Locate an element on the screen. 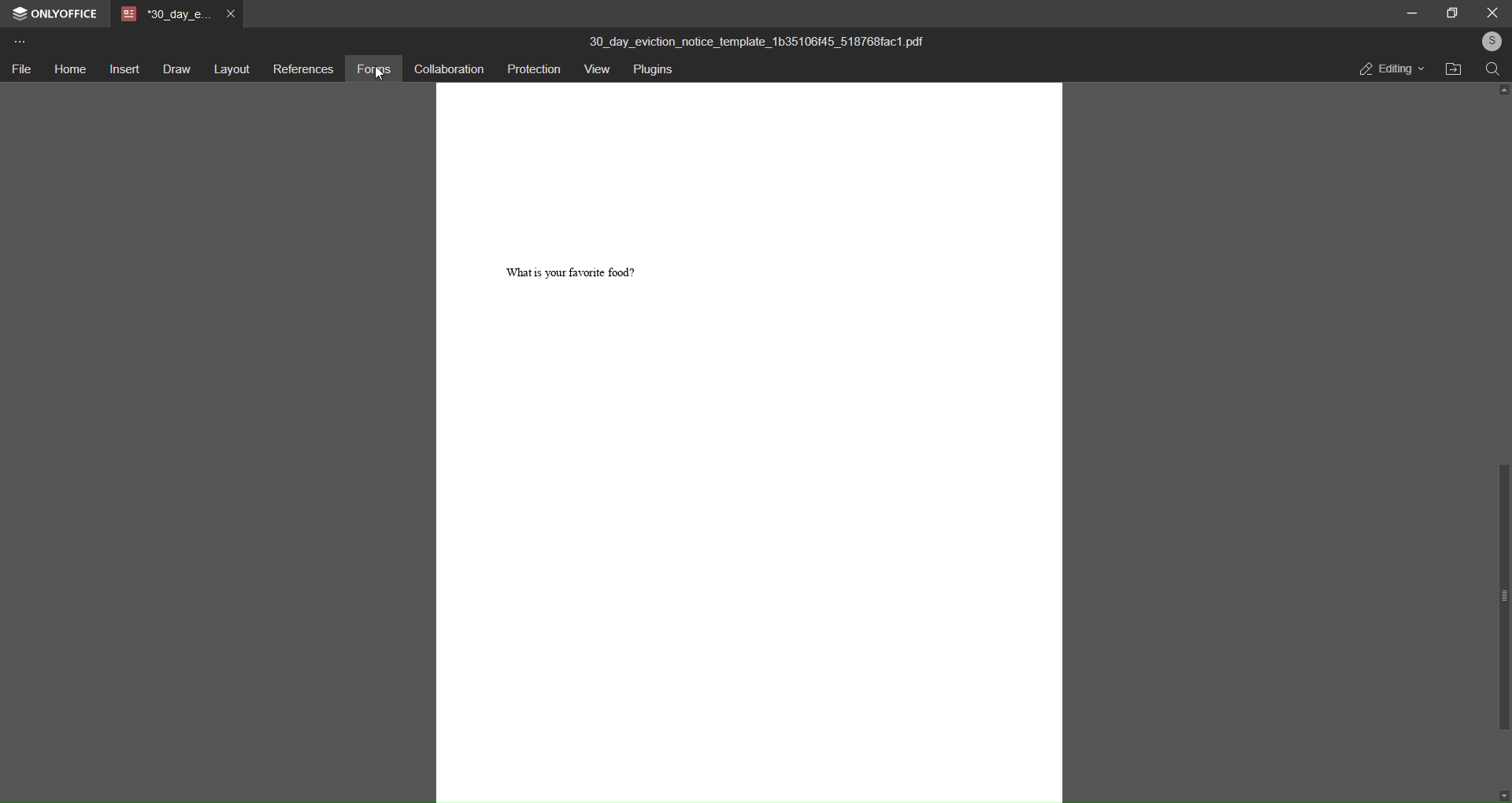  tab name is located at coordinates (164, 16).